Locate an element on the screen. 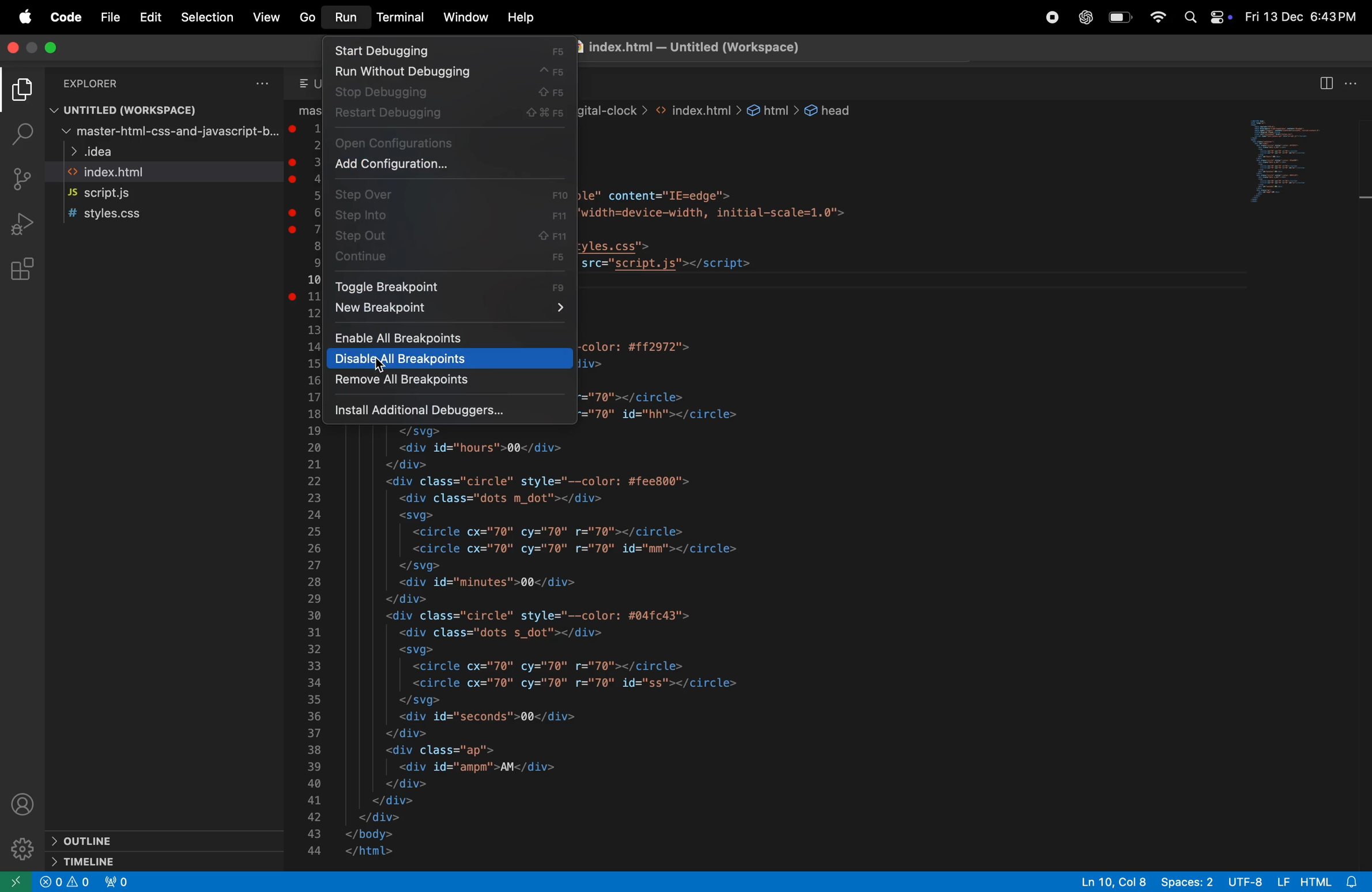 This screenshot has width=1372, height=892. date and time is located at coordinates (1301, 16).